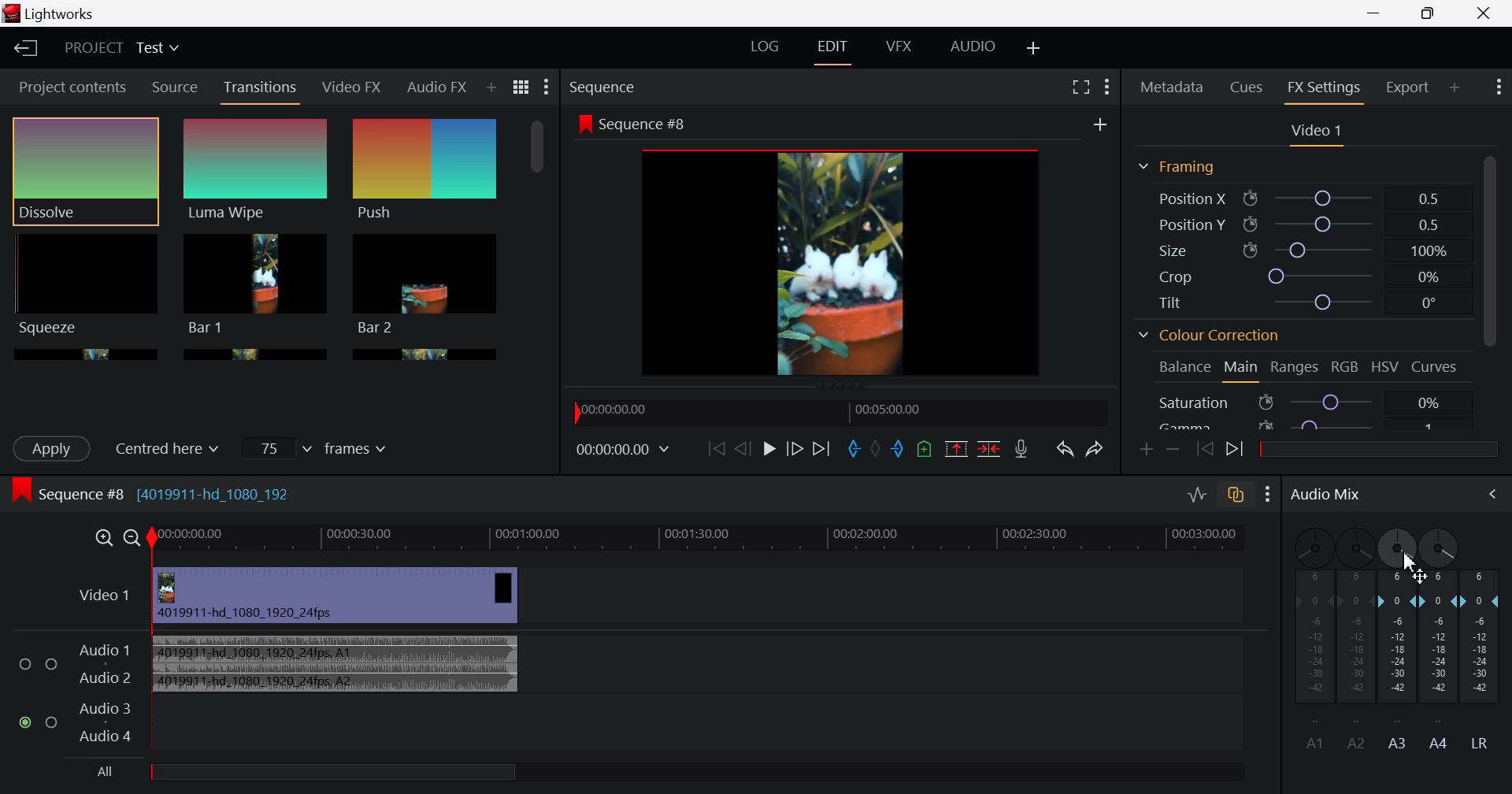  I want to click on Frame Time, so click(622, 453).